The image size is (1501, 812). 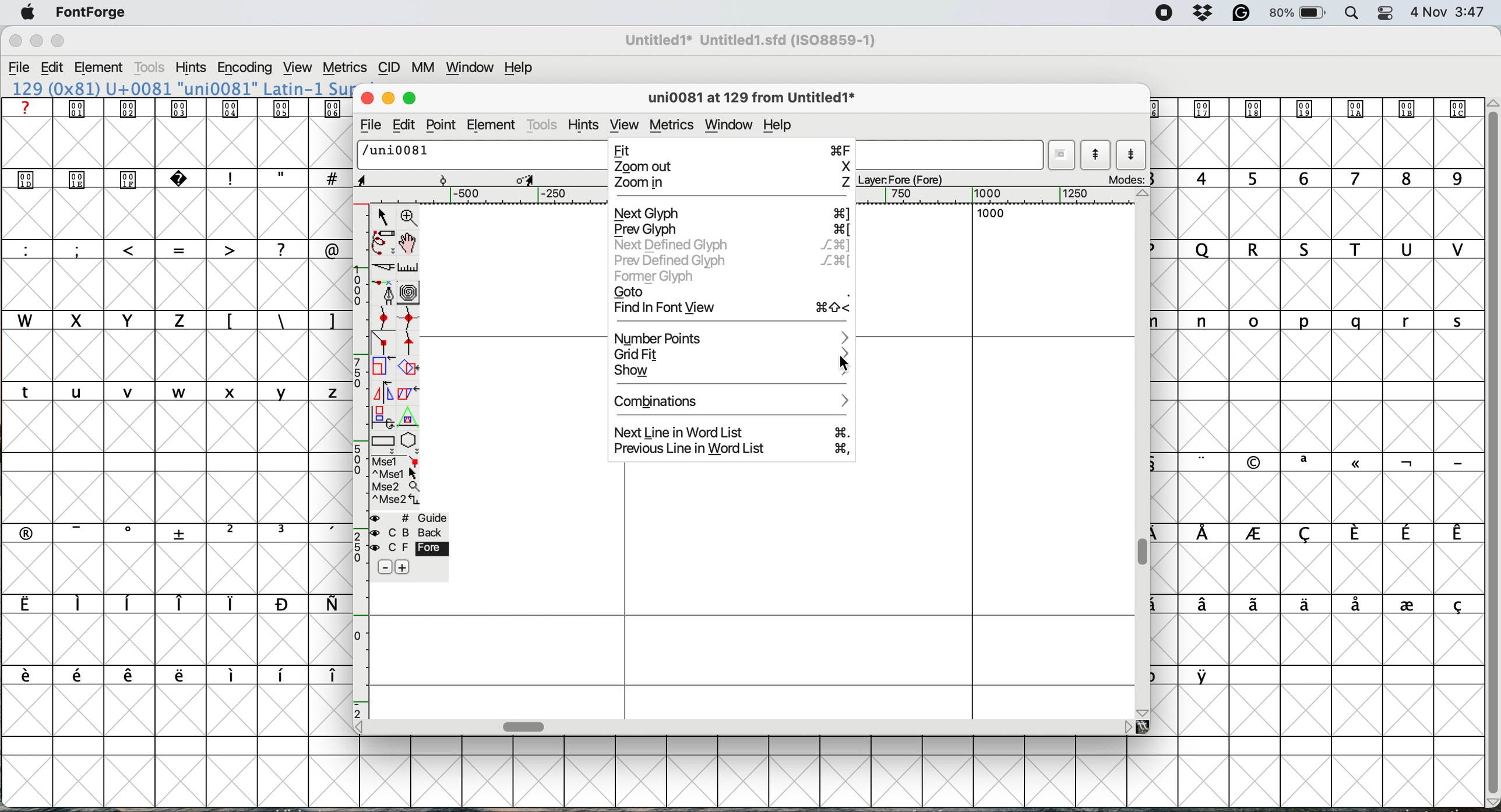 I want to click on previous line in word list, so click(x=734, y=449).